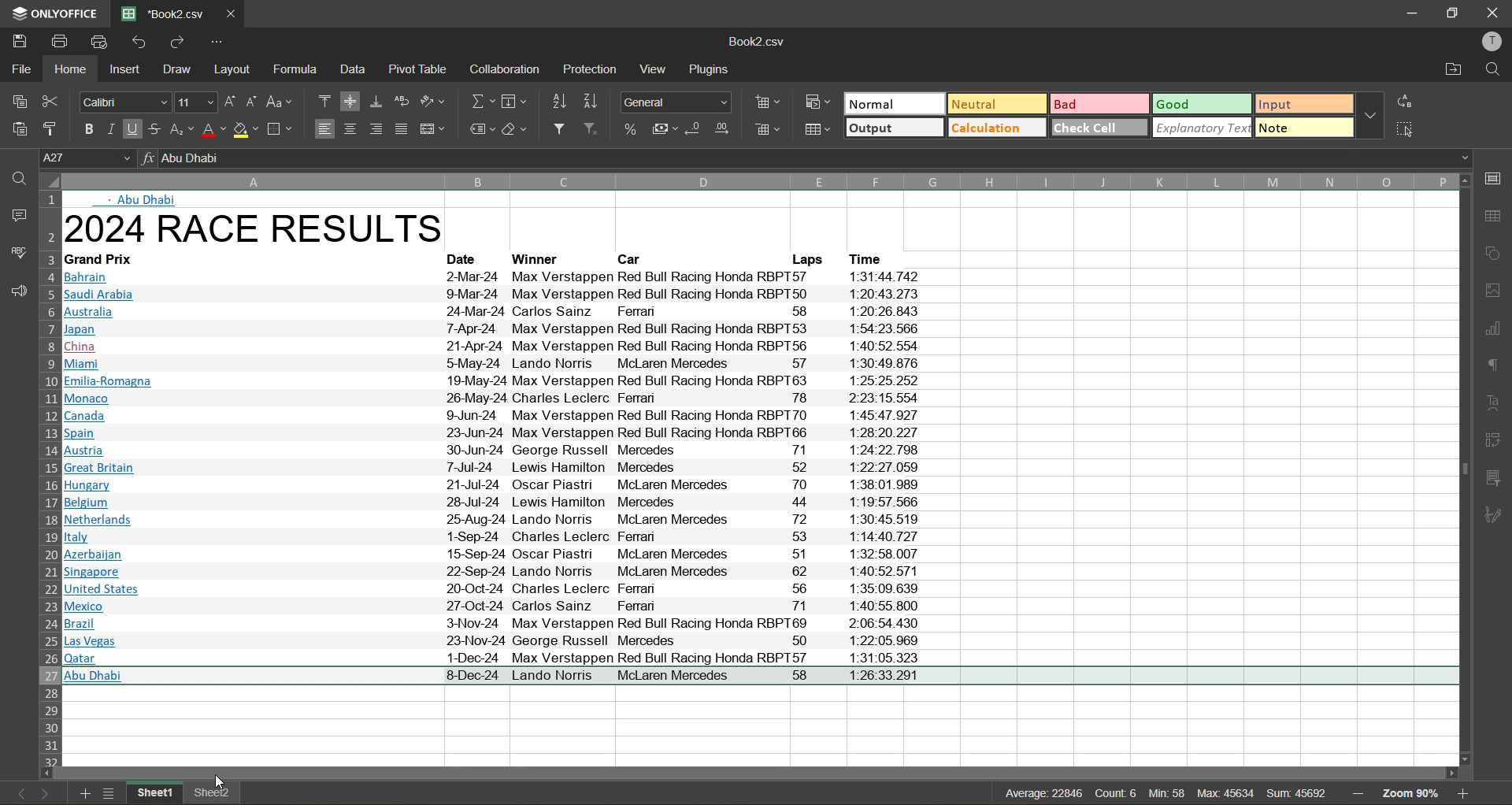  What do you see at coordinates (804, 259) in the screenshot?
I see `text info` at bounding box center [804, 259].